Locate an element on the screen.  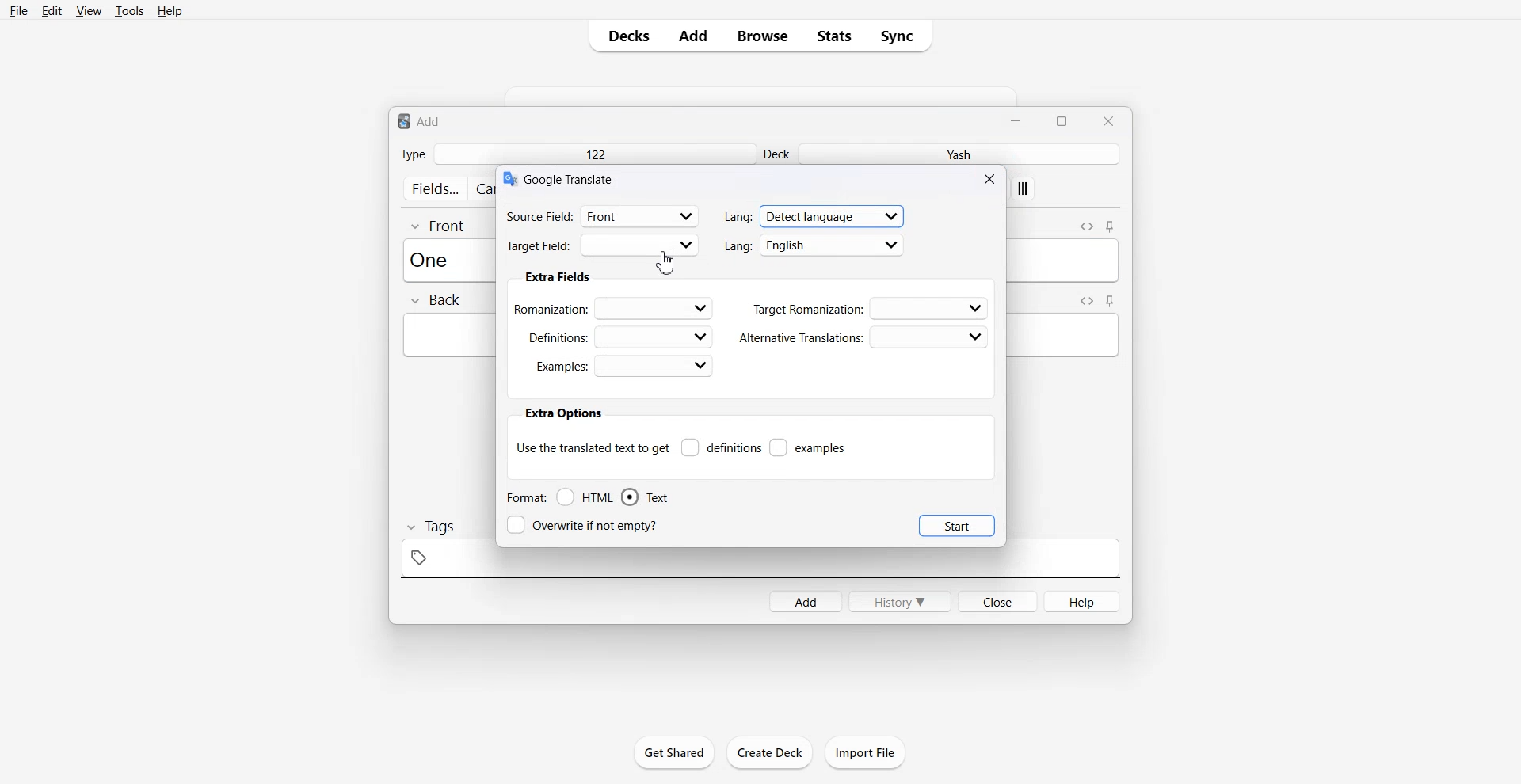
fields  is located at coordinates (434, 188).